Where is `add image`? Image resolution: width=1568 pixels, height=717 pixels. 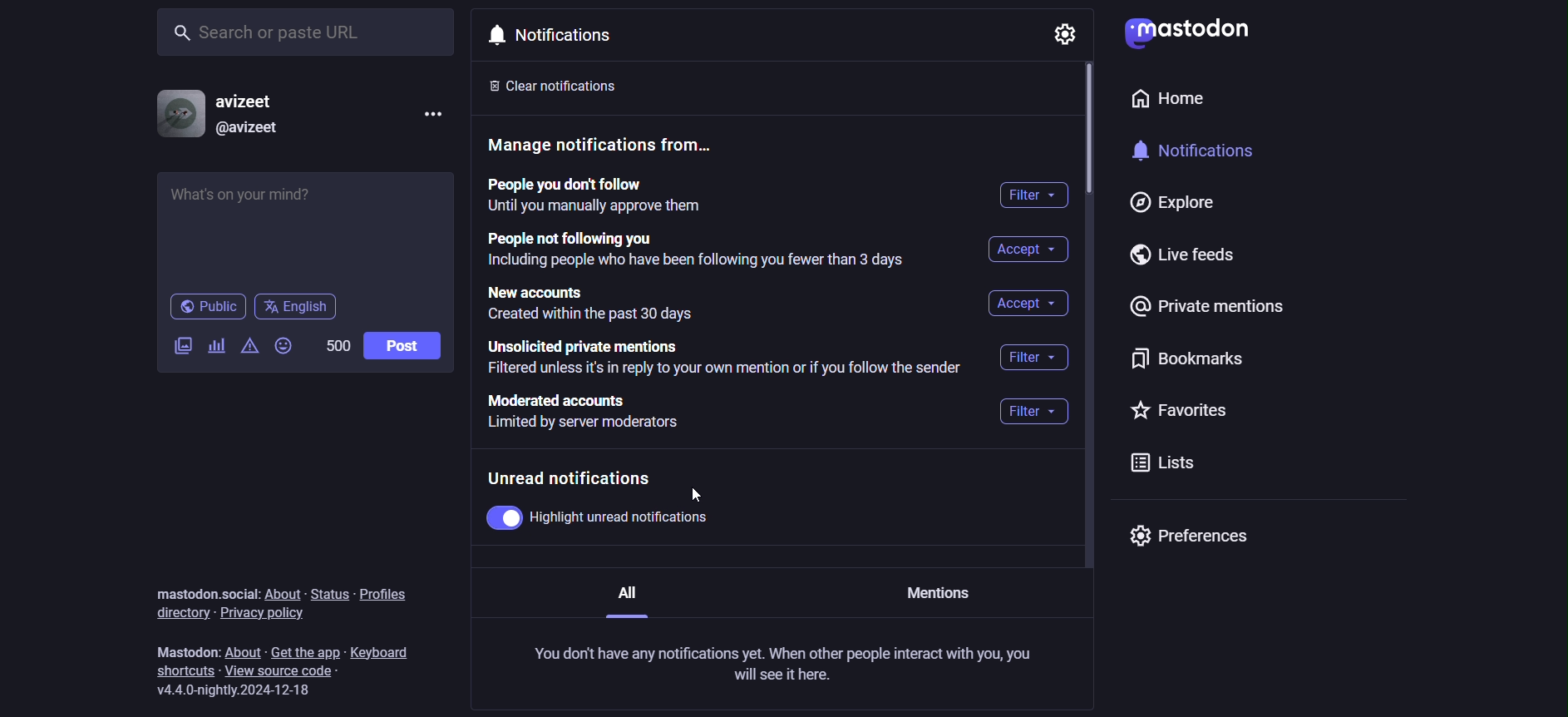
add image is located at coordinates (184, 346).